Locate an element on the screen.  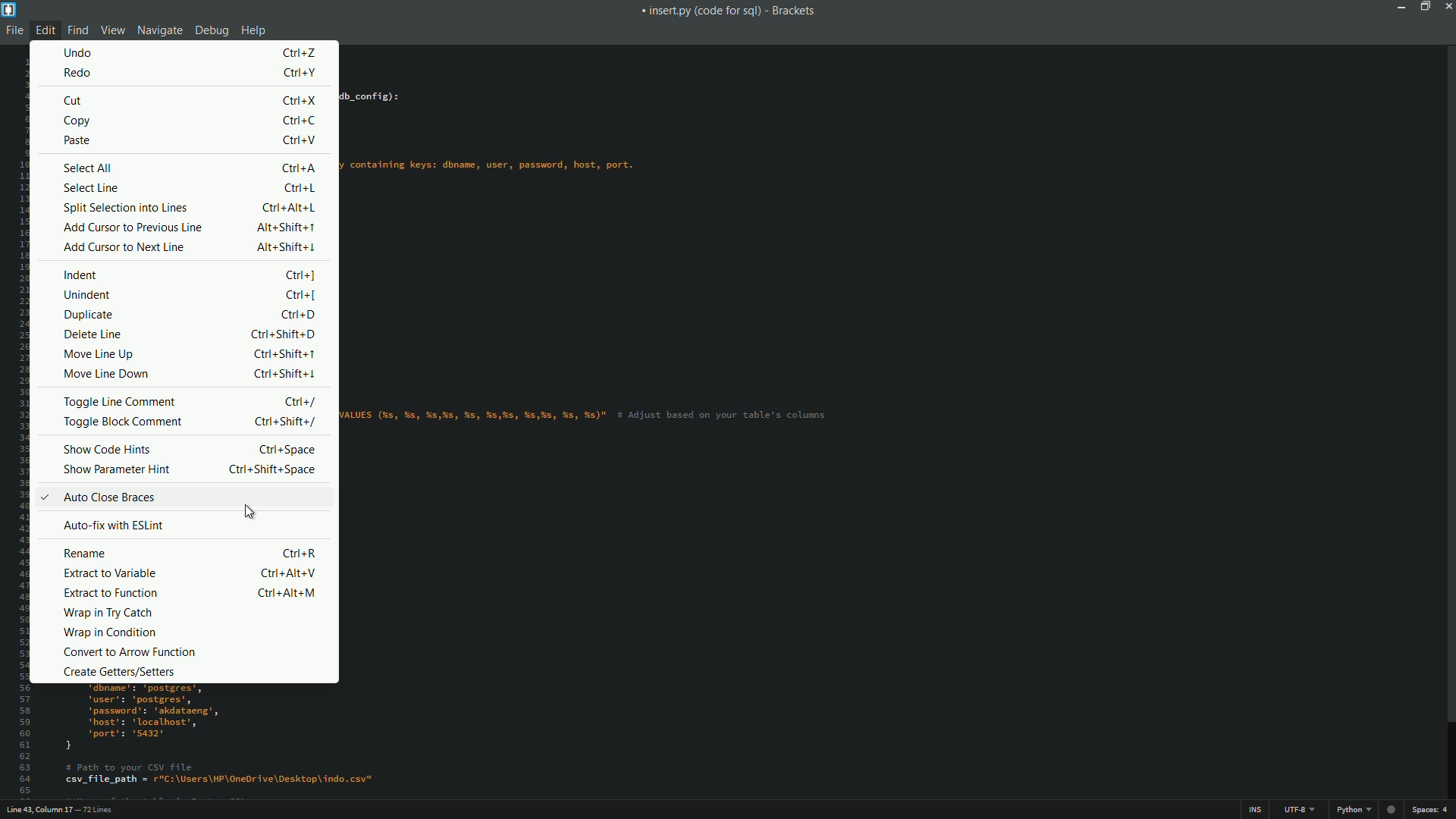
create getters/setters is located at coordinates (121, 672).